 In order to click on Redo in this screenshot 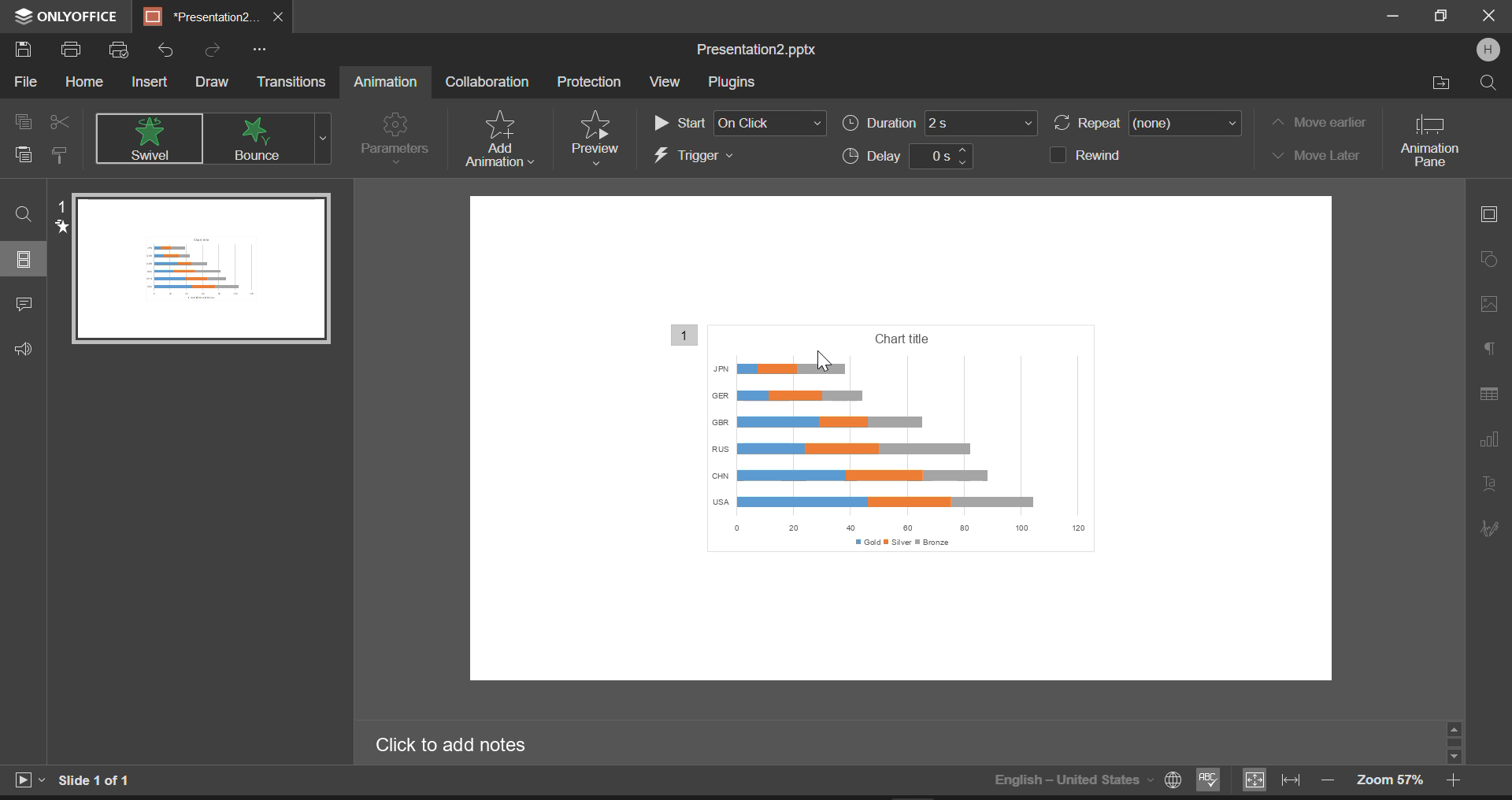, I will do `click(213, 48)`.